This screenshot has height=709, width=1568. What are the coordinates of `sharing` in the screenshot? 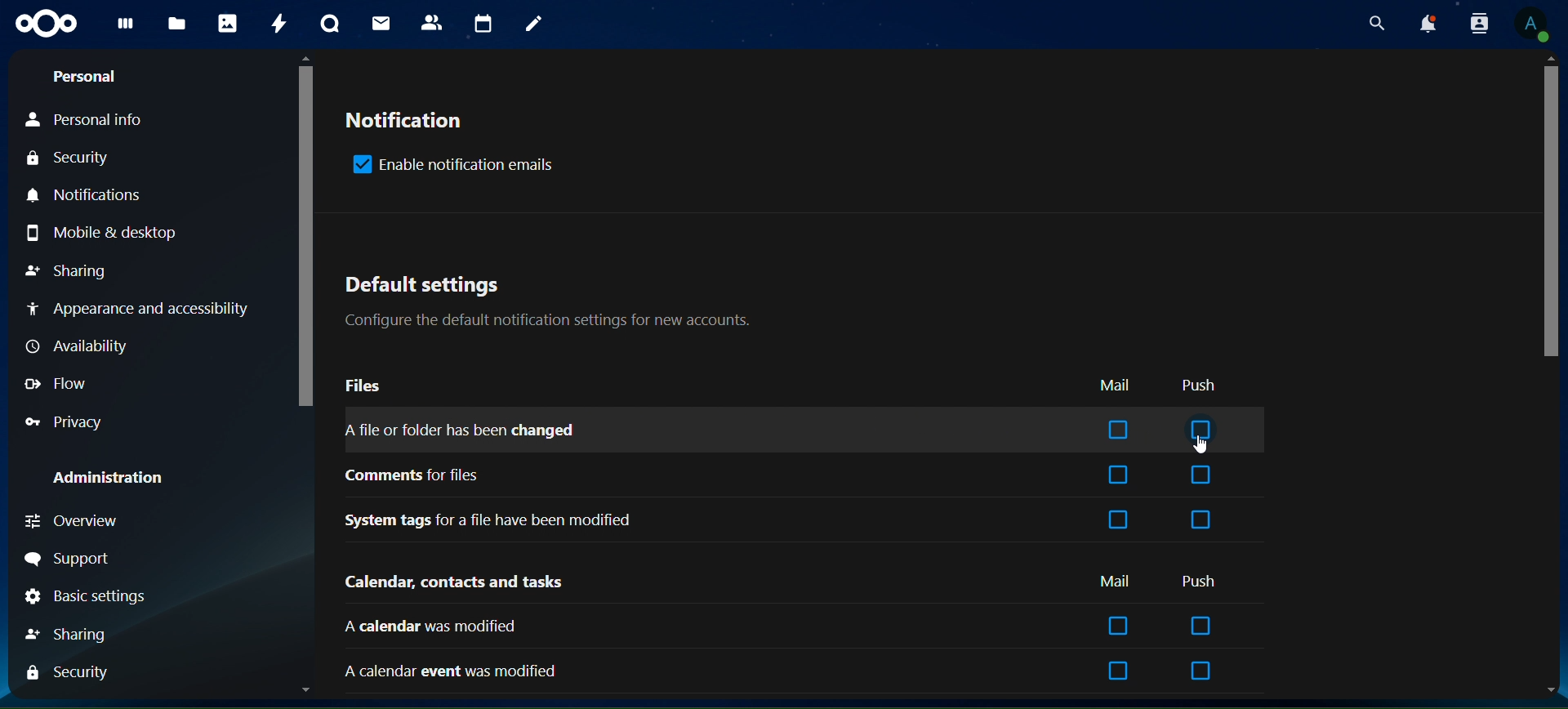 It's located at (73, 635).